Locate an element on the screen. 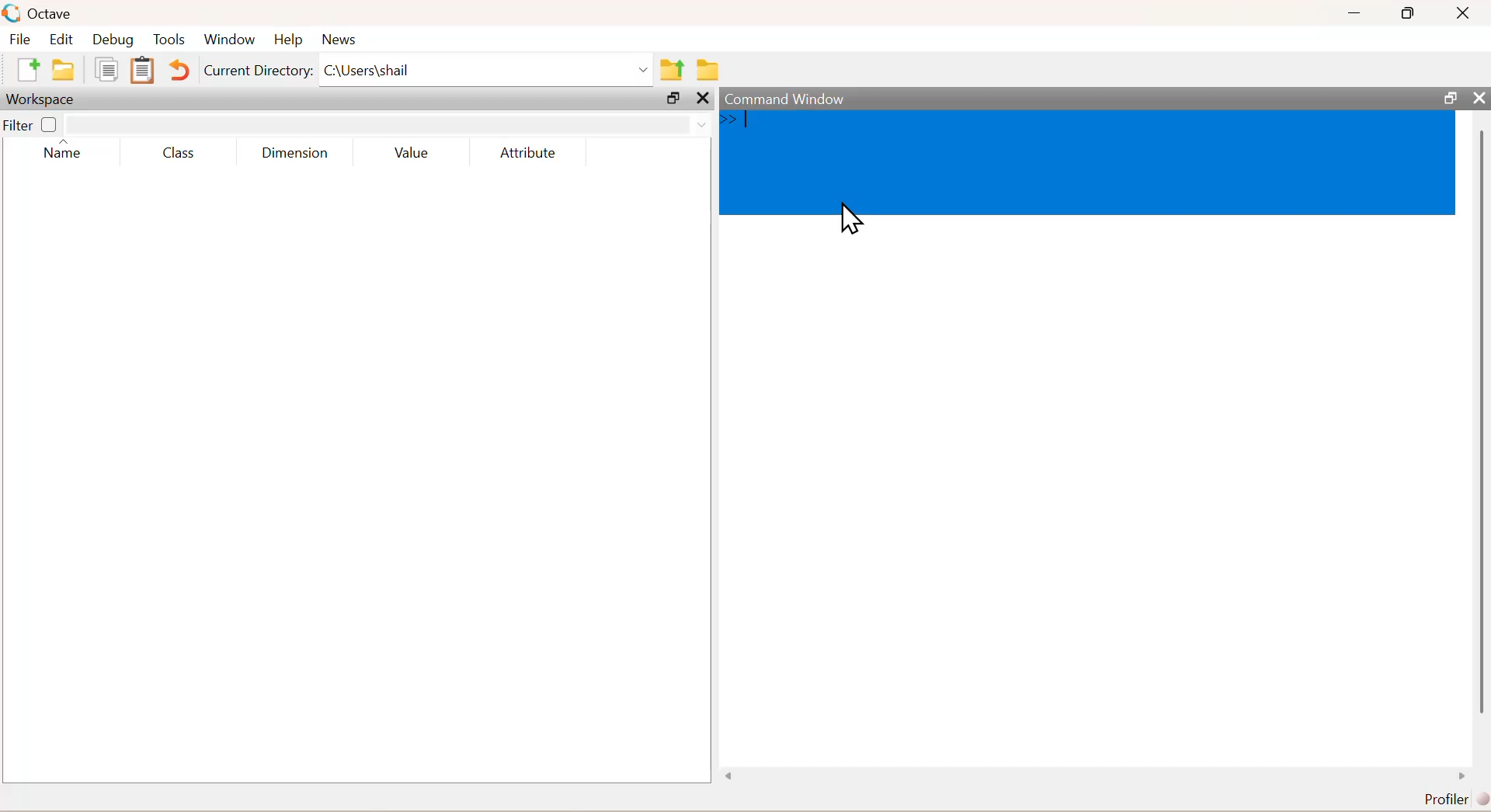 The height and width of the screenshot is (812, 1491). folder is located at coordinates (64, 70).